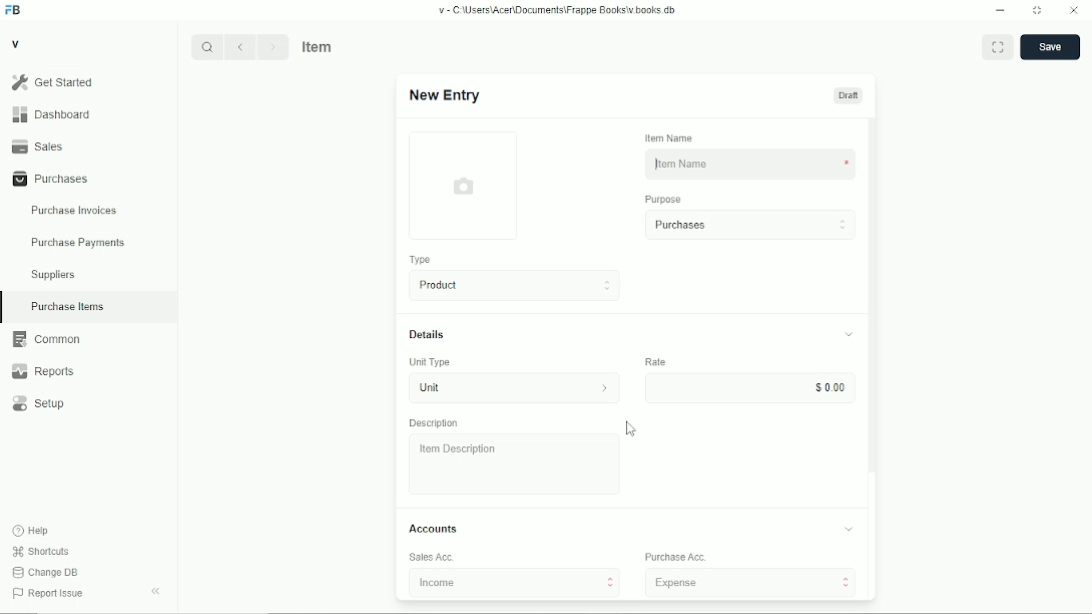 The image size is (1092, 614). I want to click on required *, so click(847, 164).